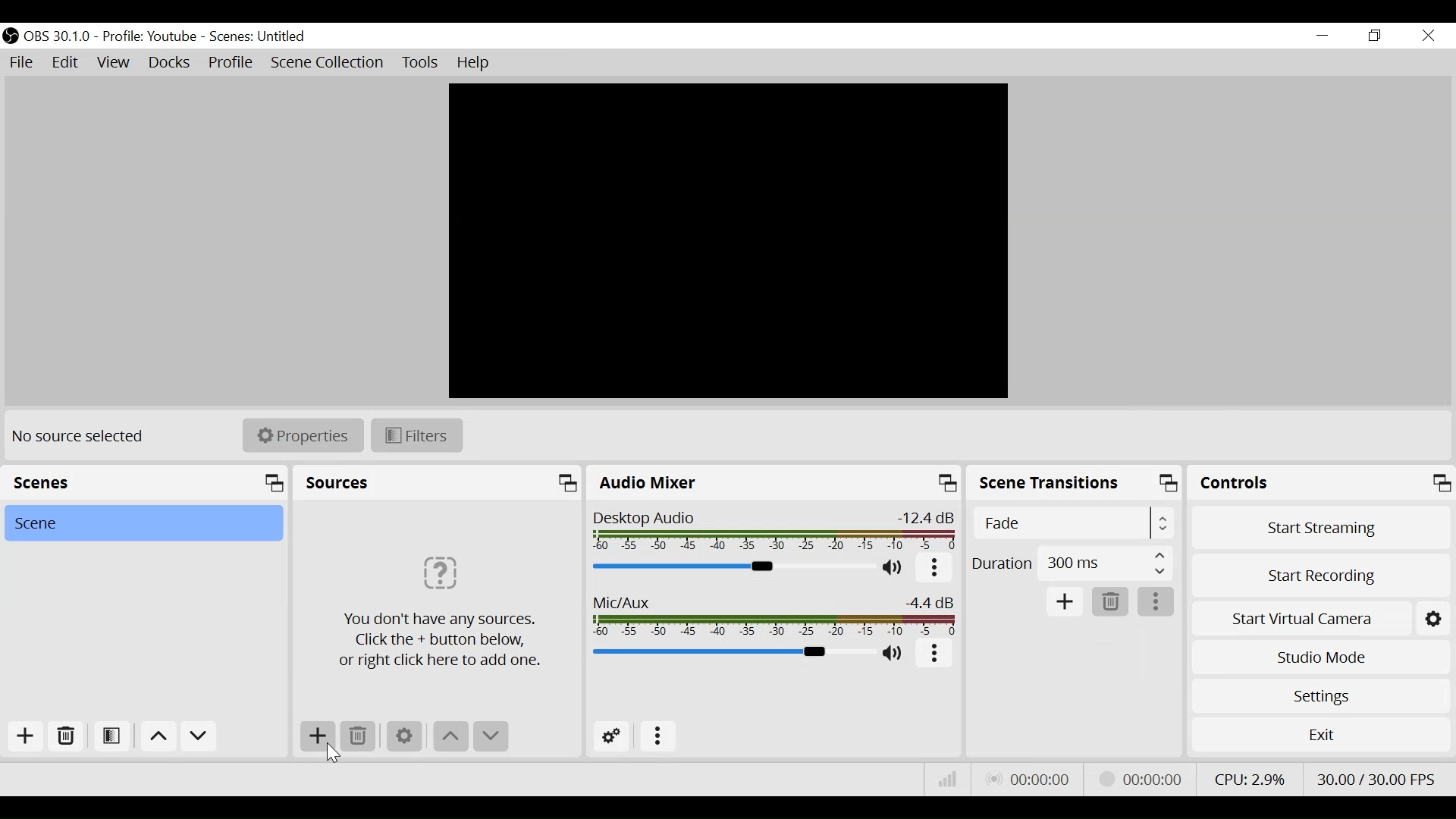 The width and height of the screenshot is (1456, 819). Describe the element at coordinates (1030, 777) in the screenshot. I see `Live Status` at that location.